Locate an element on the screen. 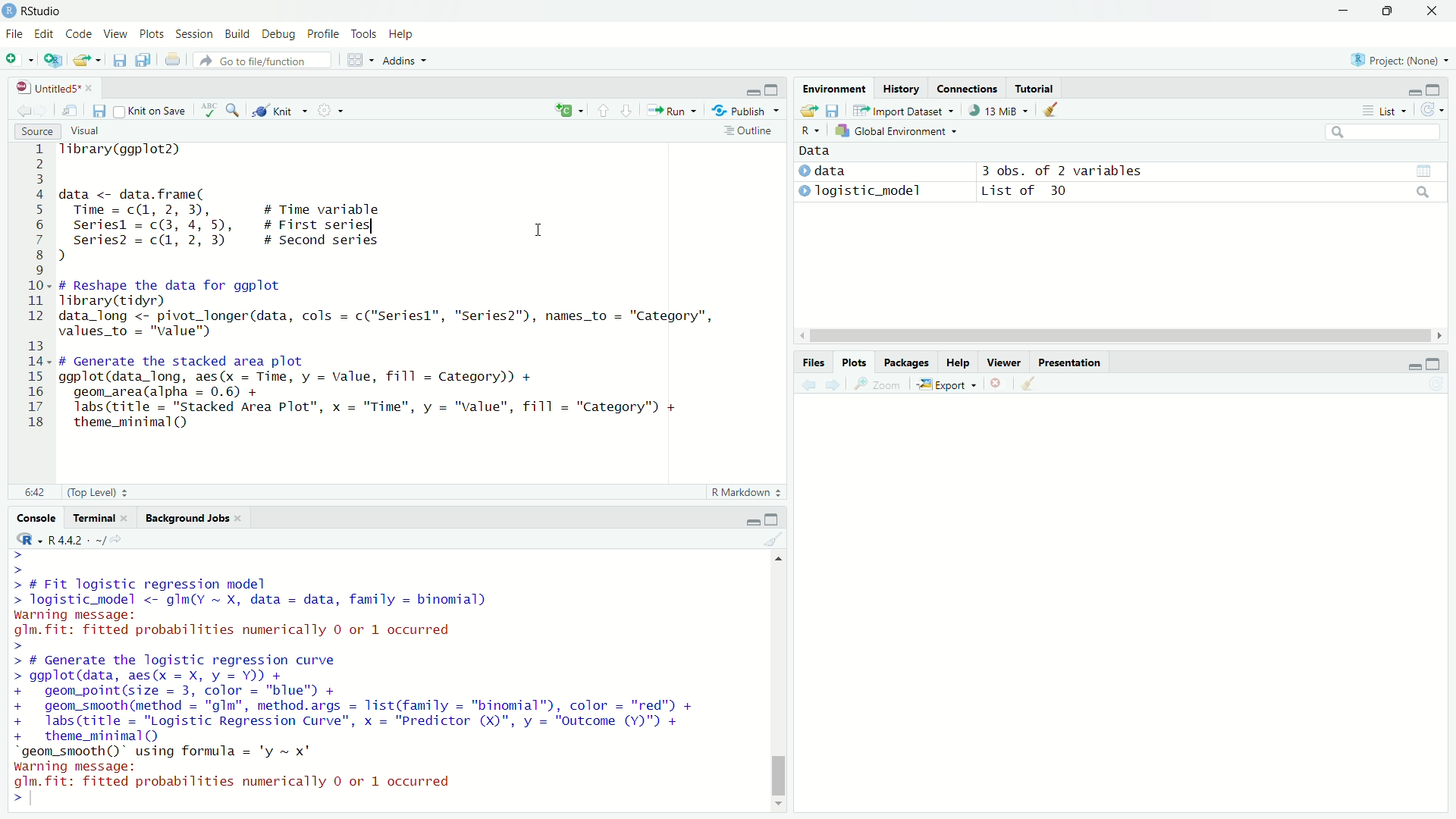  Terminal is located at coordinates (97, 517).